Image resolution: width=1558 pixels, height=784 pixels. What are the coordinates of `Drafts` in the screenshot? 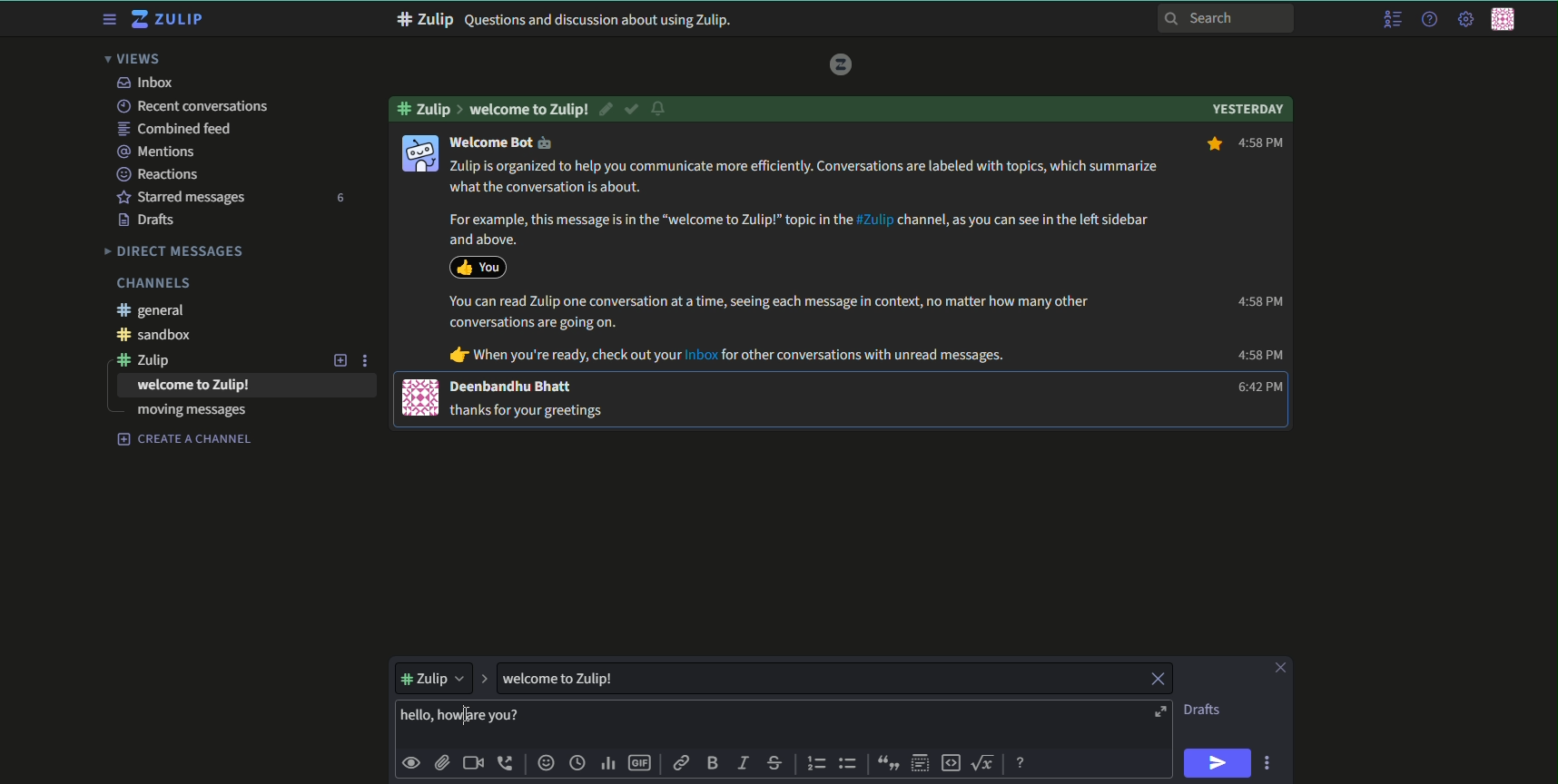 It's located at (149, 220).